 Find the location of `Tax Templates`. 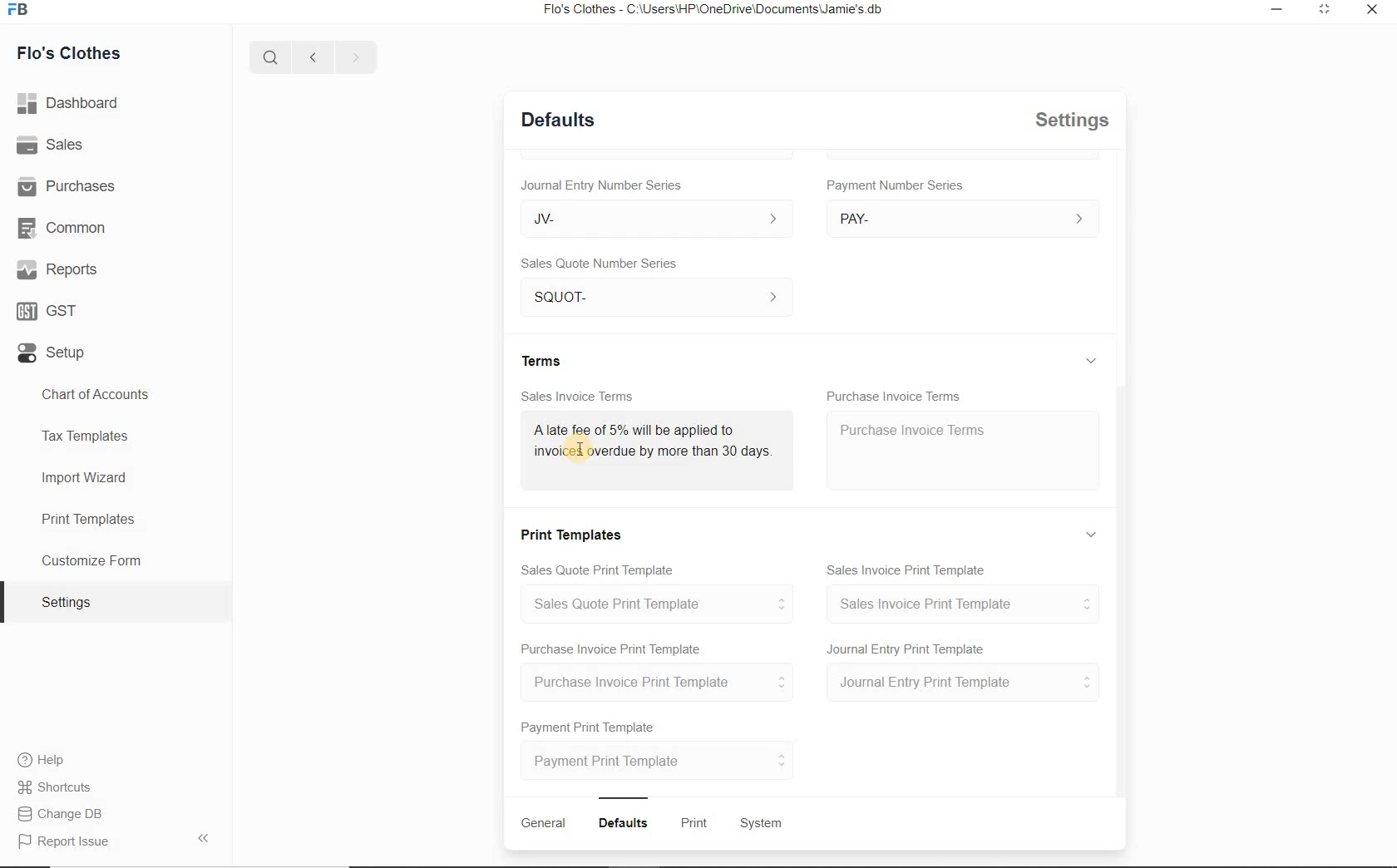

Tax Templates is located at coordinates (91, 435).